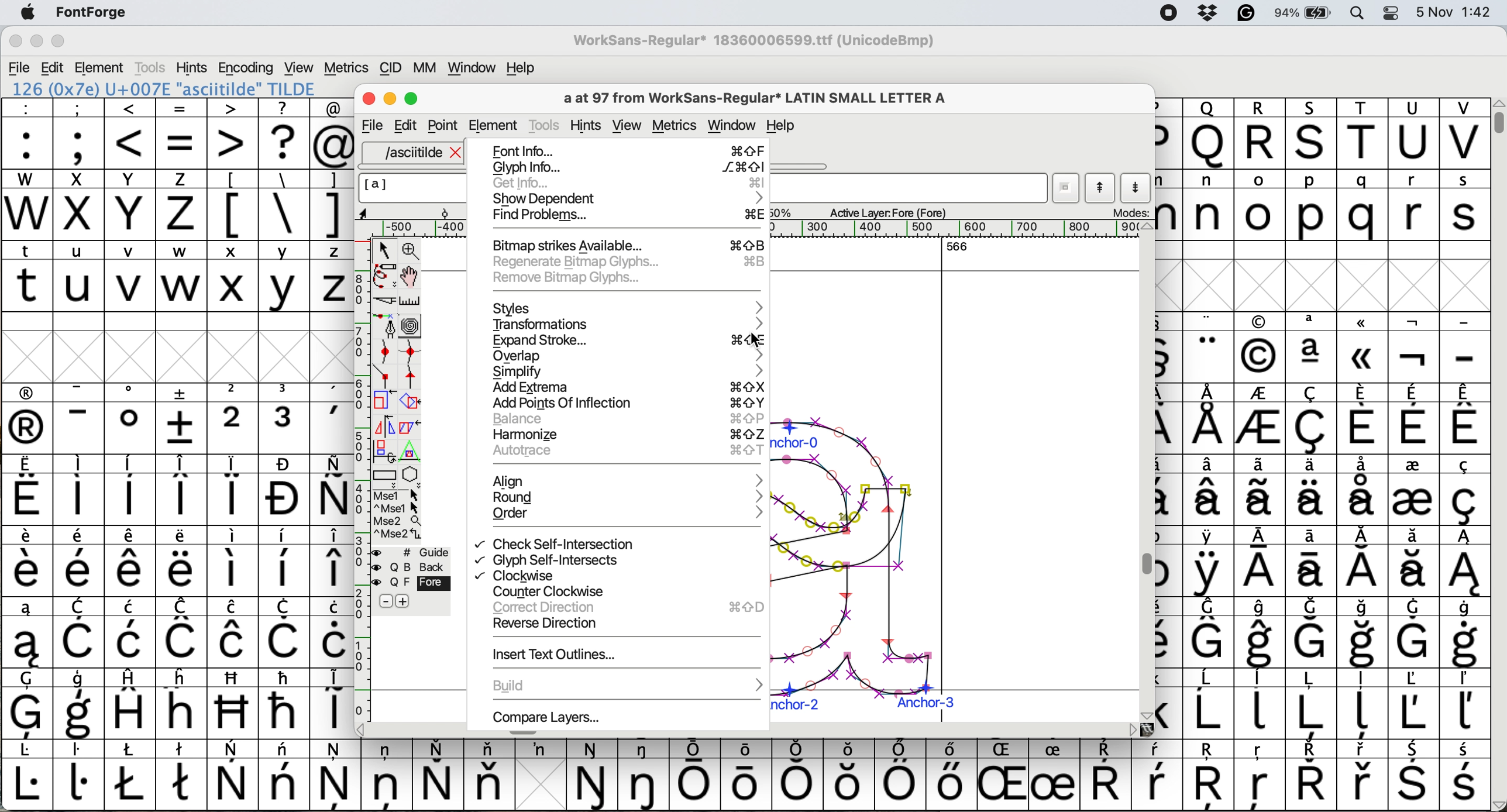 This screenshot has width=1507, height=812. I want to click on symbol, so click(27, 776).